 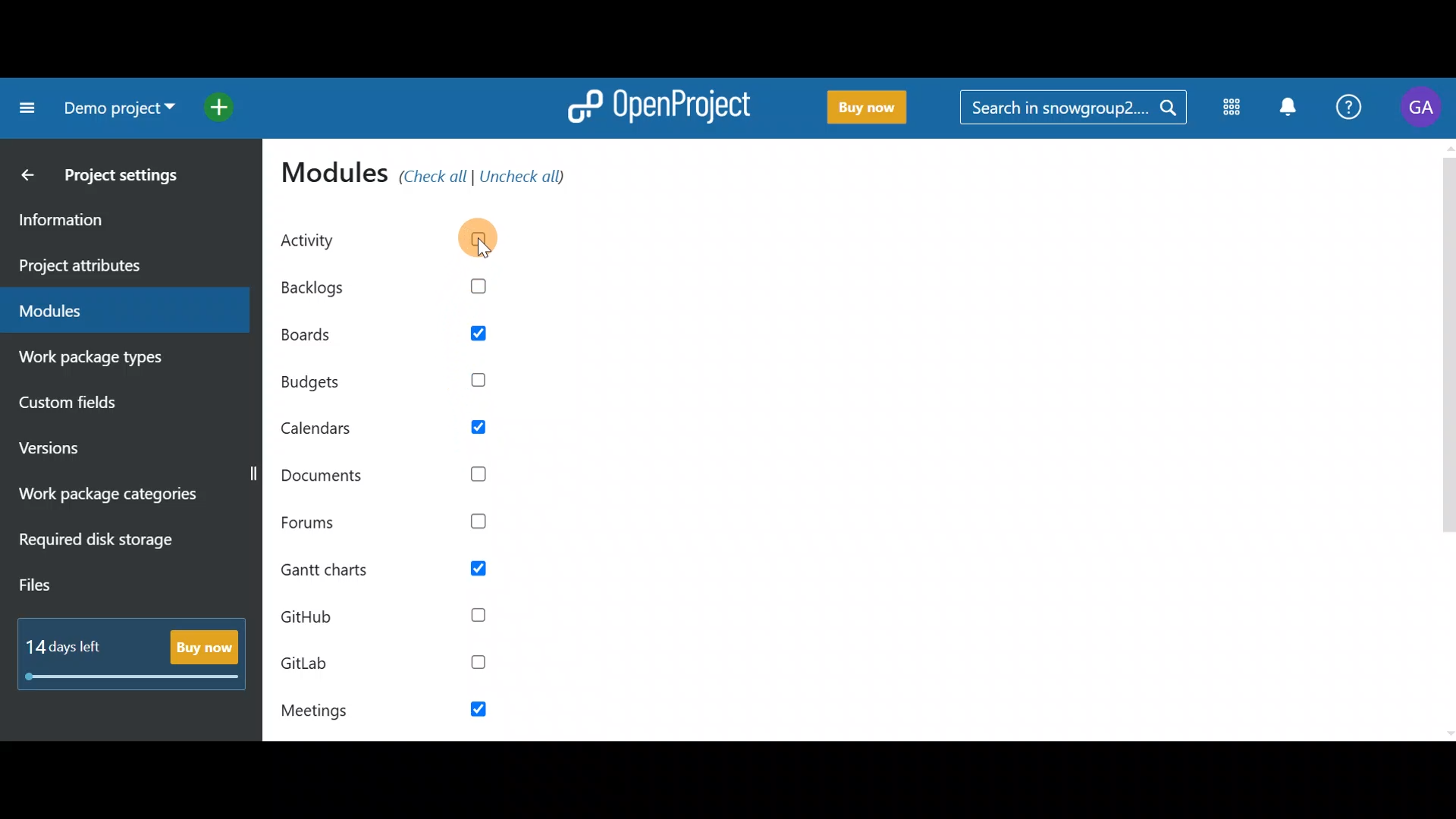 I want to click on Budgets, so click(x=390, y=384).